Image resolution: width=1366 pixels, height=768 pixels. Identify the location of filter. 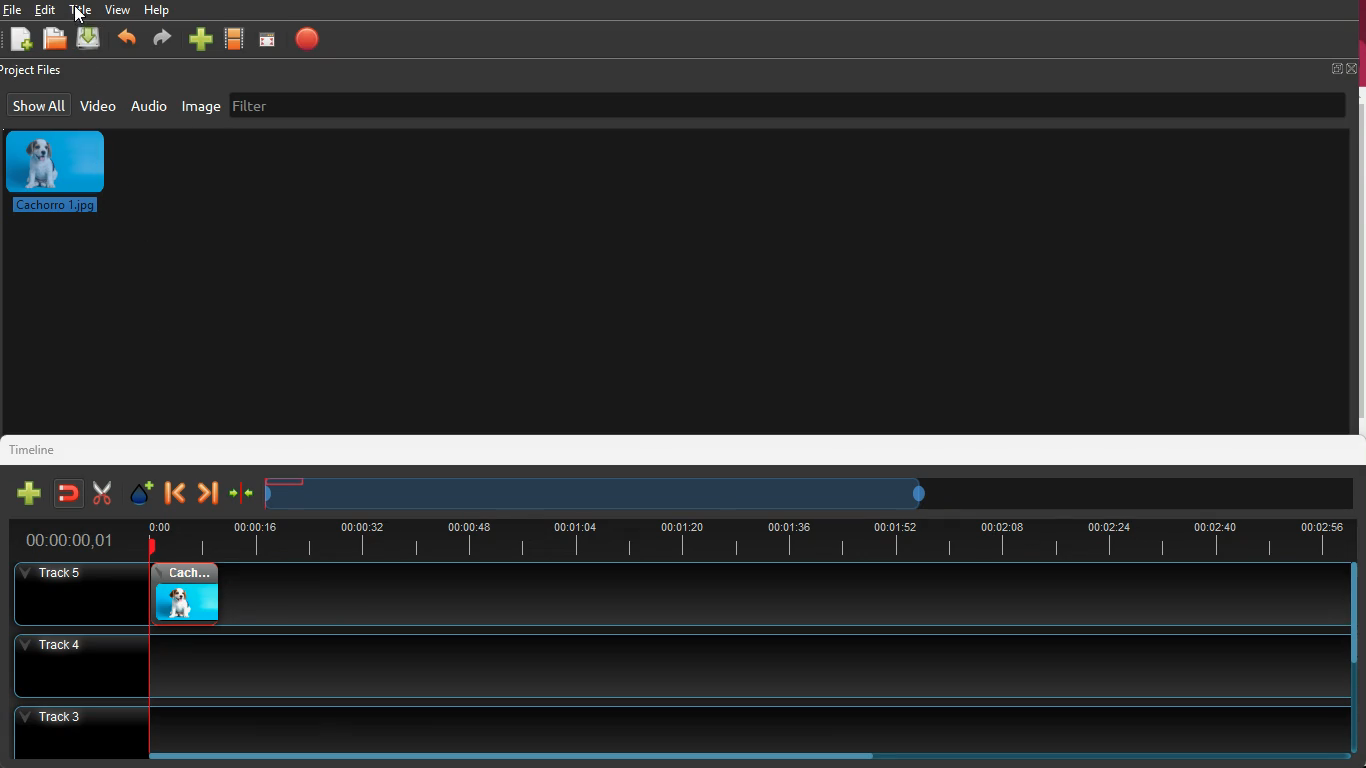
(359, 103).